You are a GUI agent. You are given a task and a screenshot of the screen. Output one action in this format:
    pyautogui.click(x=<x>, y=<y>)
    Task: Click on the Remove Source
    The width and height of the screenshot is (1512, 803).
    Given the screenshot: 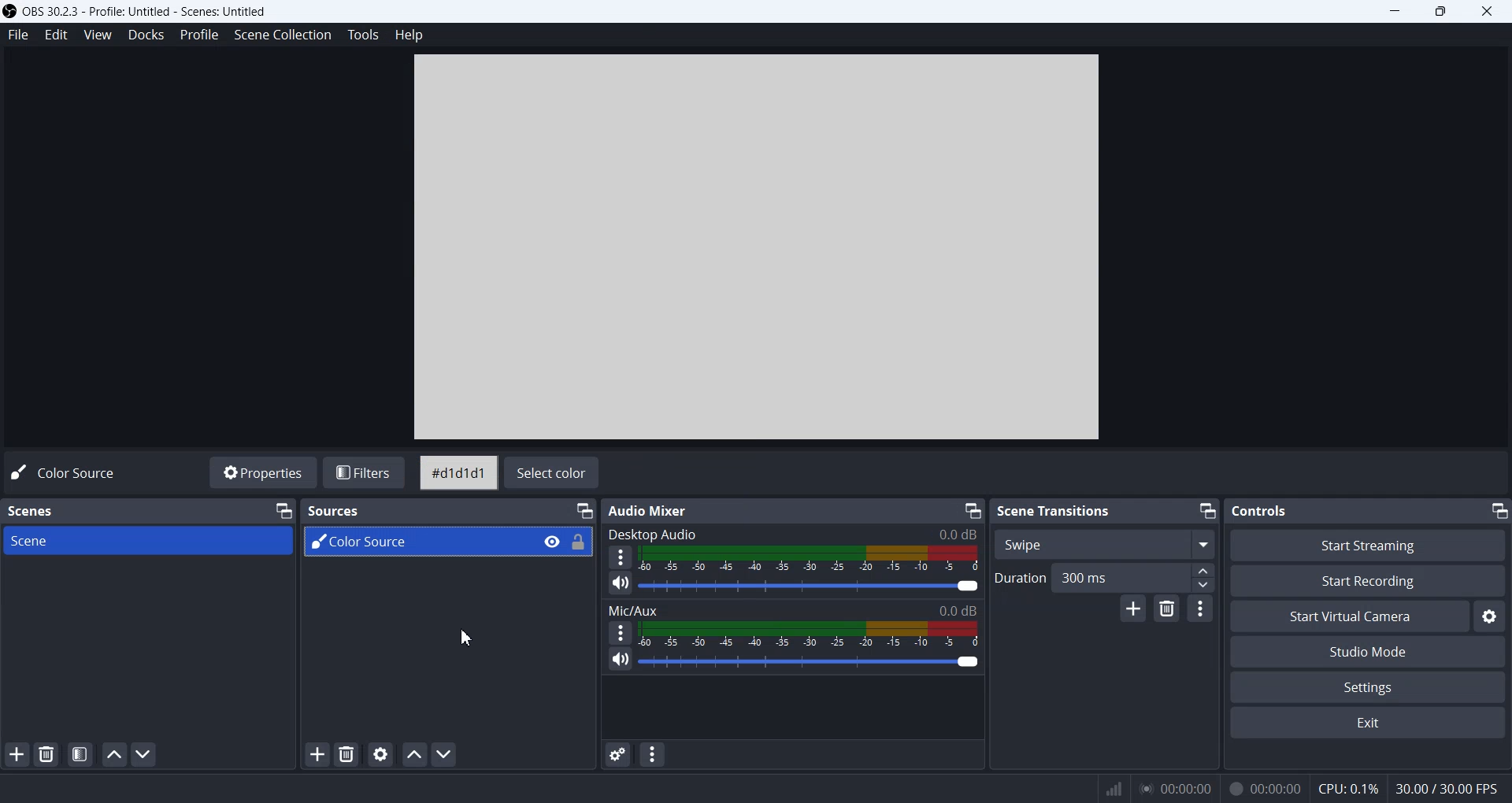 What is the action you would take?
    pyautogui.click(x=346, y=754)
    